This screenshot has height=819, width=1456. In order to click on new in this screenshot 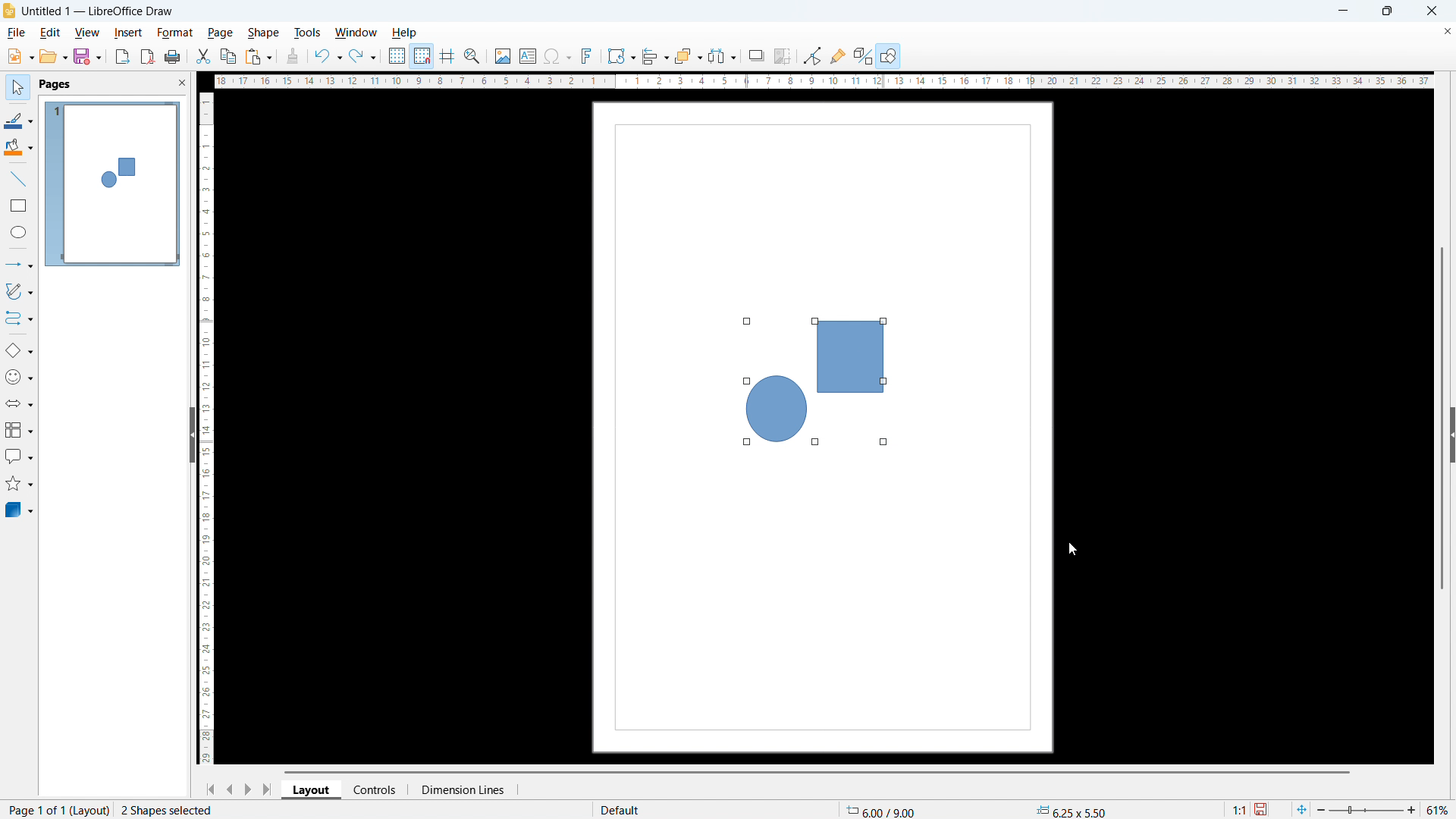, I will do `click(21, 56)`.